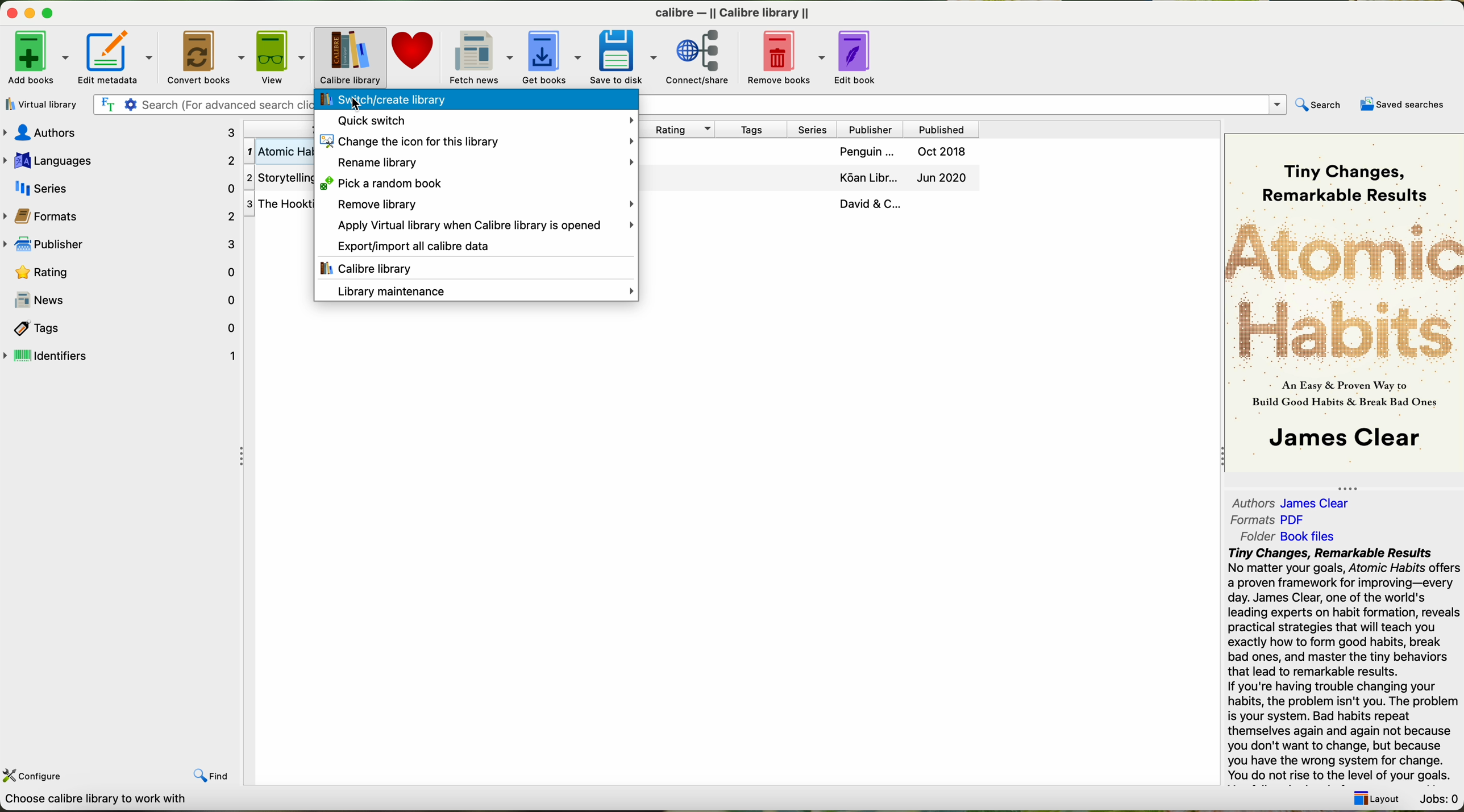 This screenshot has width=1464, height=812. Describe the element at coordinates (1405, 105) in the screenshot. I see `saved searches` at that location.